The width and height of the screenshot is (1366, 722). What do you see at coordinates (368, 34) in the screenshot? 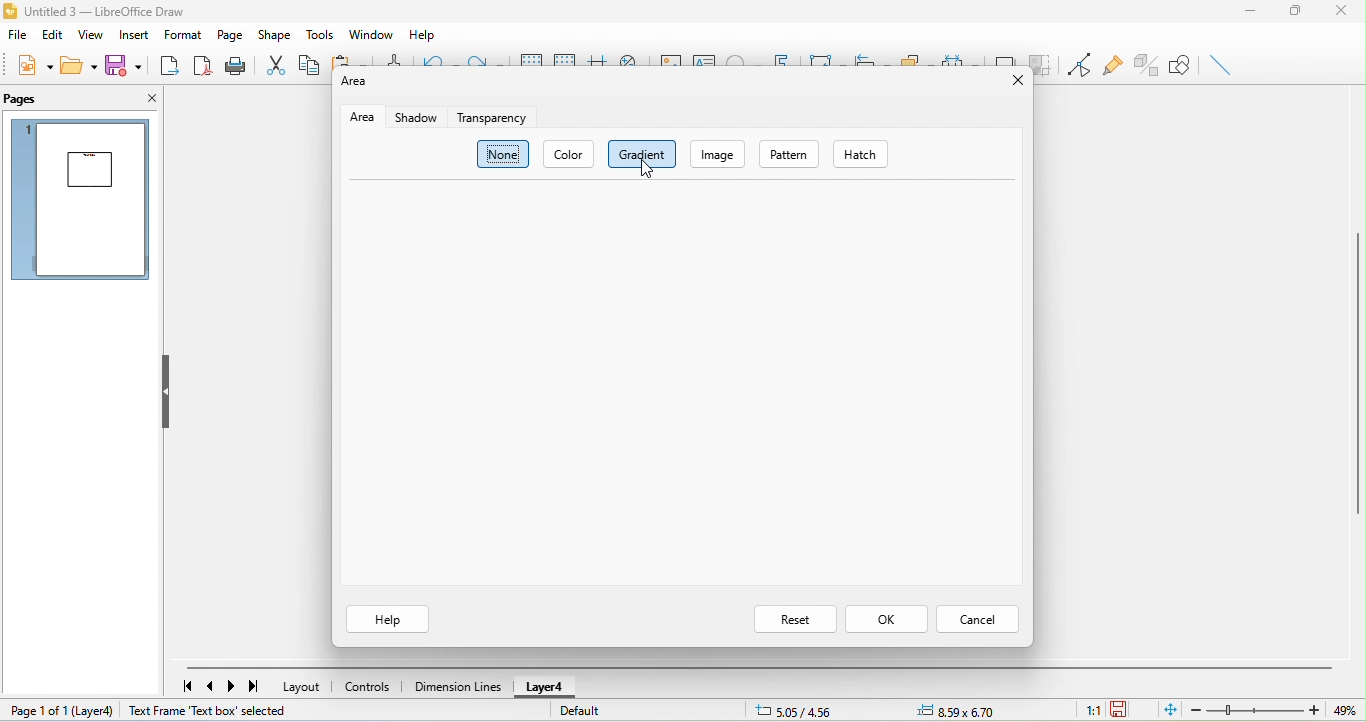
I see `window` at bounding box center [368, 34].